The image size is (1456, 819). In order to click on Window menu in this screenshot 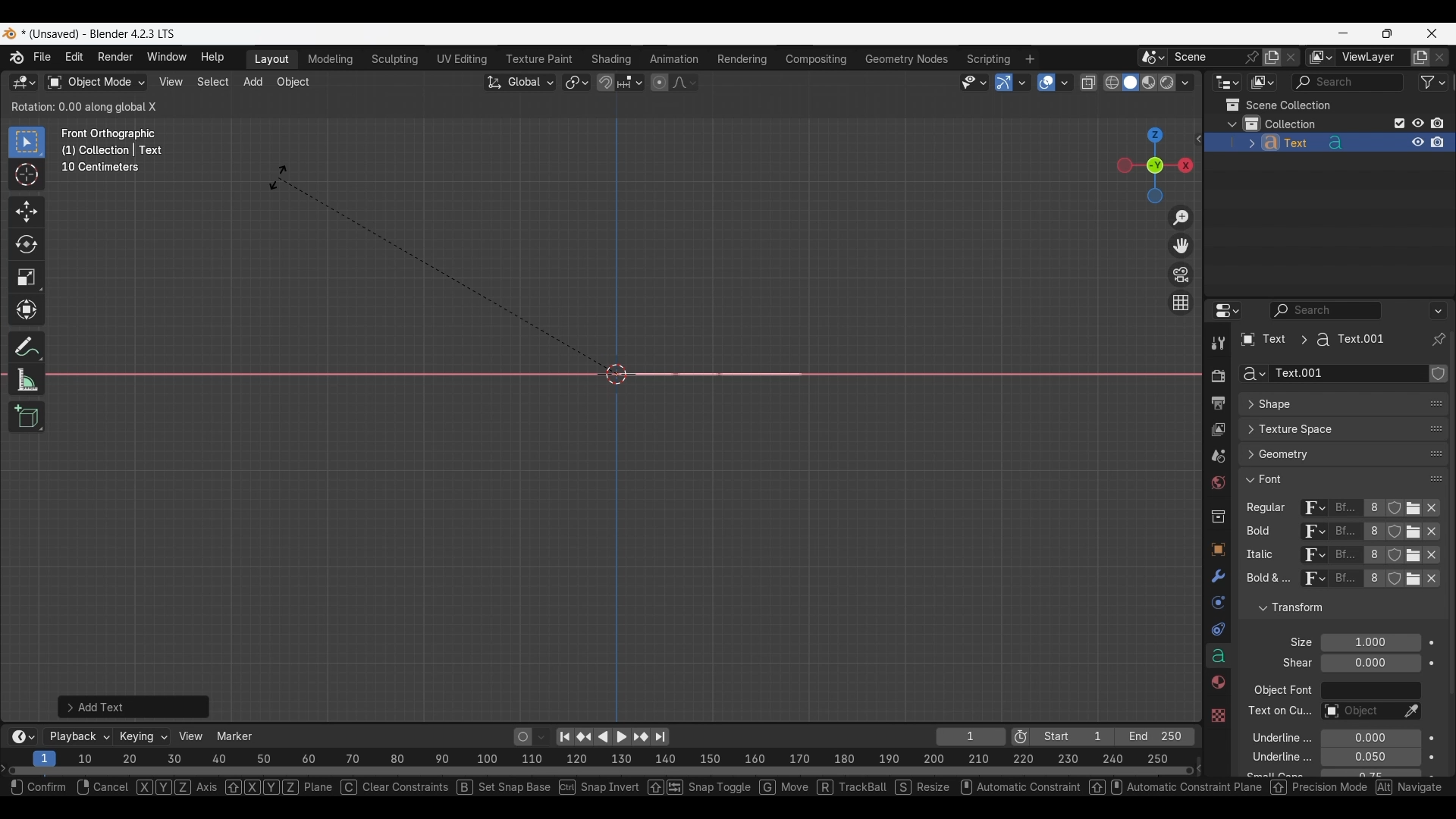, I will do `click(167, 58)`.